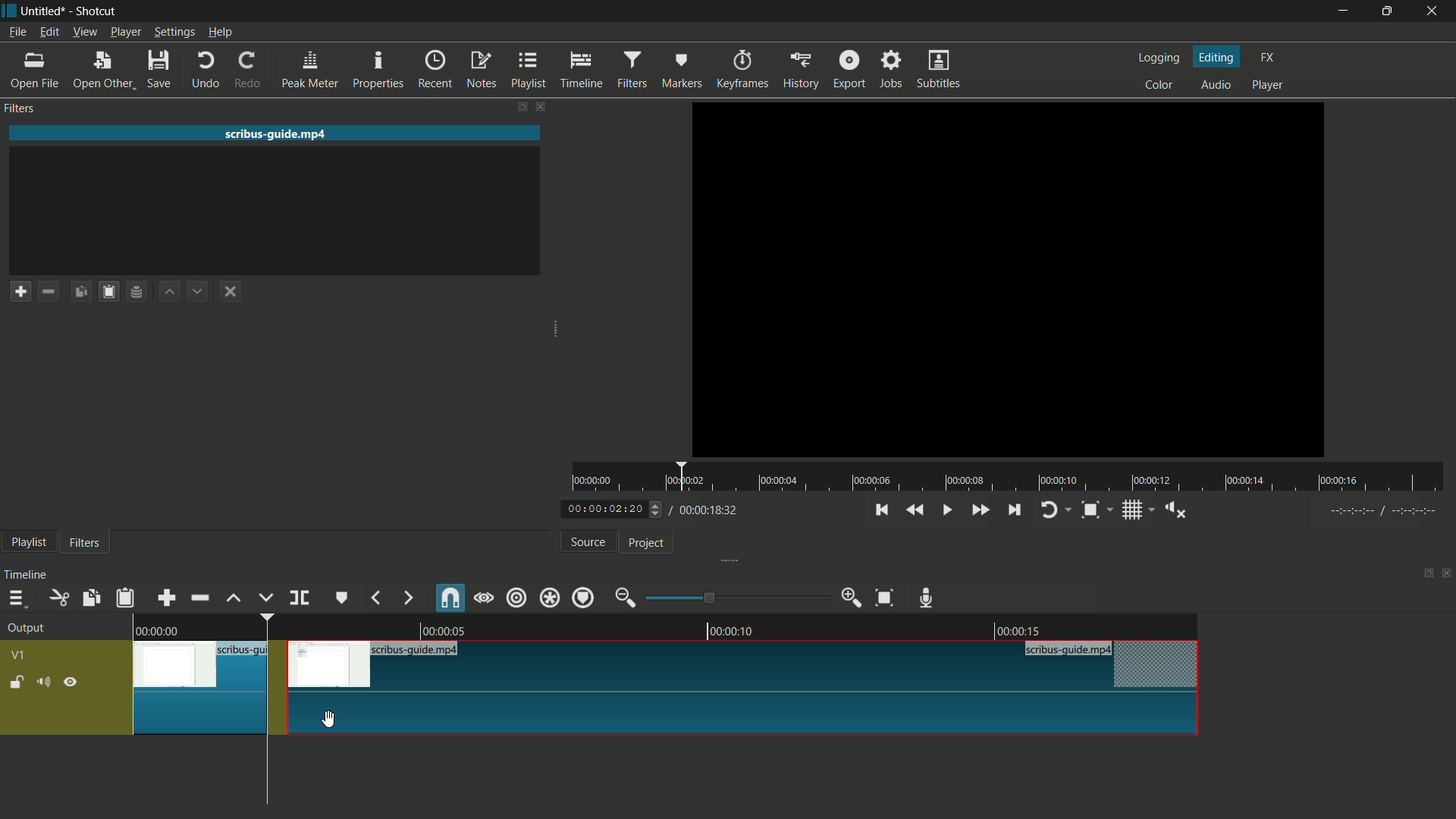 The width and height of the screenshot is (1456, 819). Describe the element at coordinates (800, 71) in the screenshot. I see `history` at that location.